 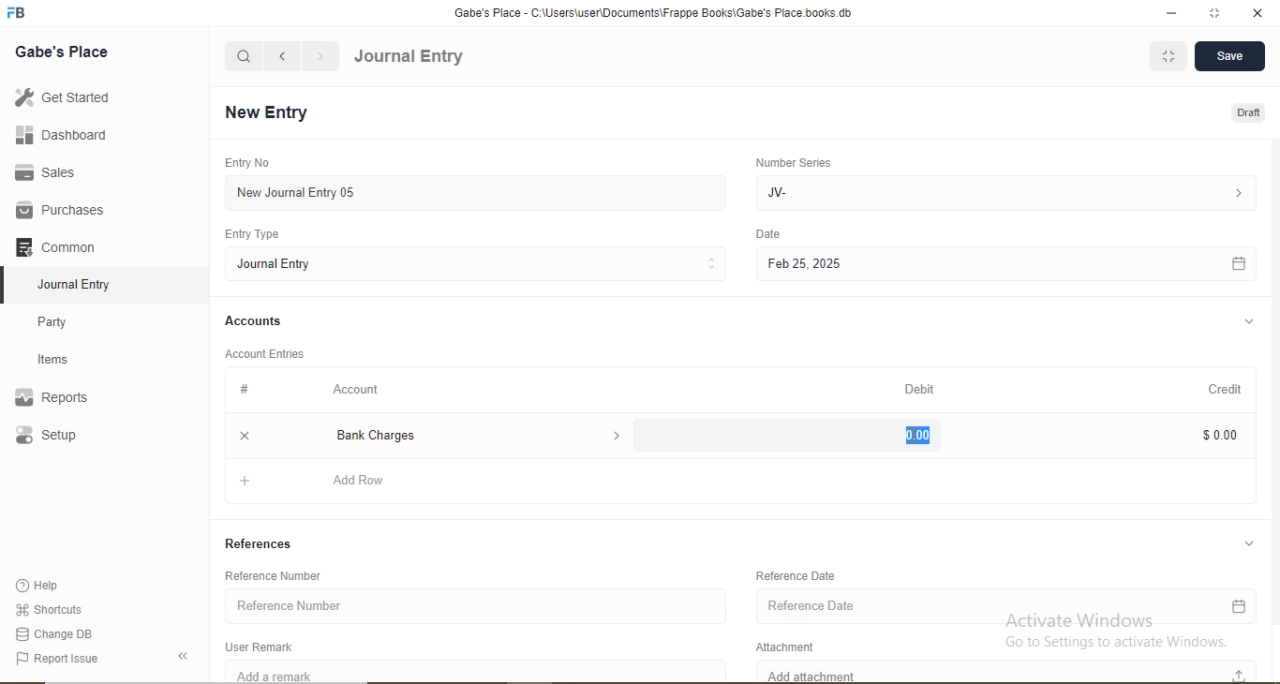 What do you see at coordinates (246, 389) in the screenshot?
I see `#` at bounding box center [246, 389].